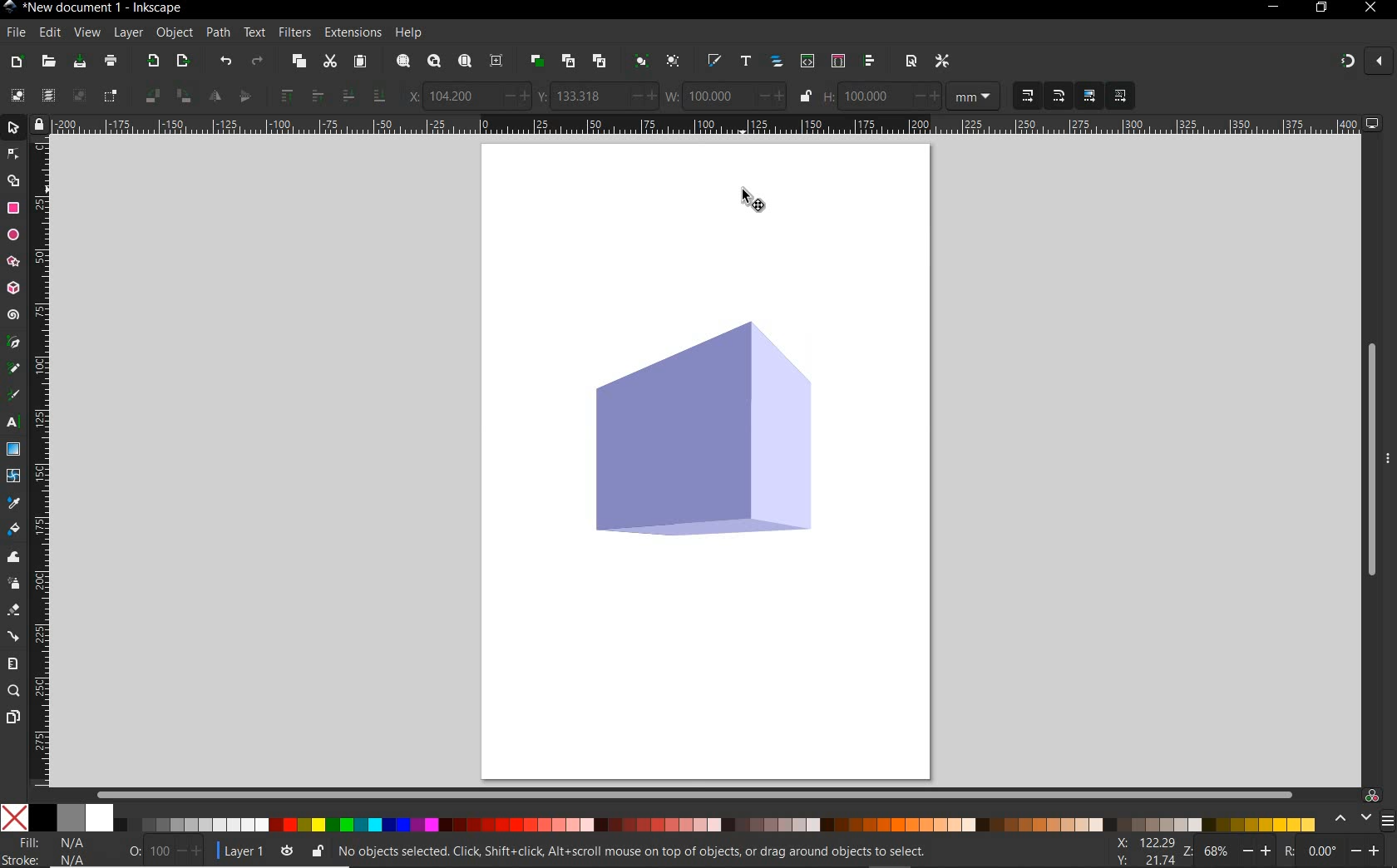 This screenshot has height=868, width=1397. Describe the element at coordinates (1027, 96) in the screenshot. I see `when scaling` at that location.